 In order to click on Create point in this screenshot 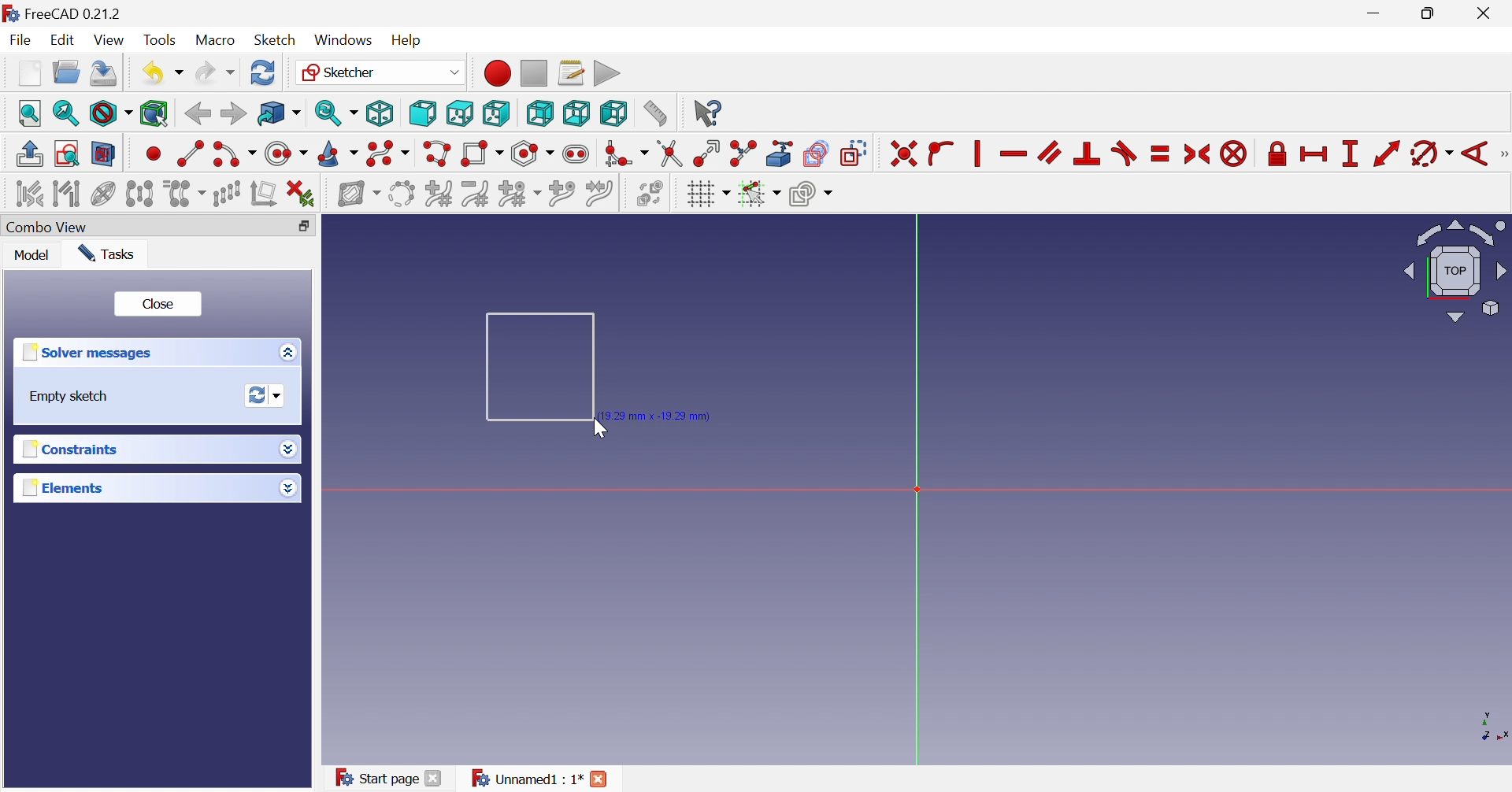, I will do `click(154, 153)`.